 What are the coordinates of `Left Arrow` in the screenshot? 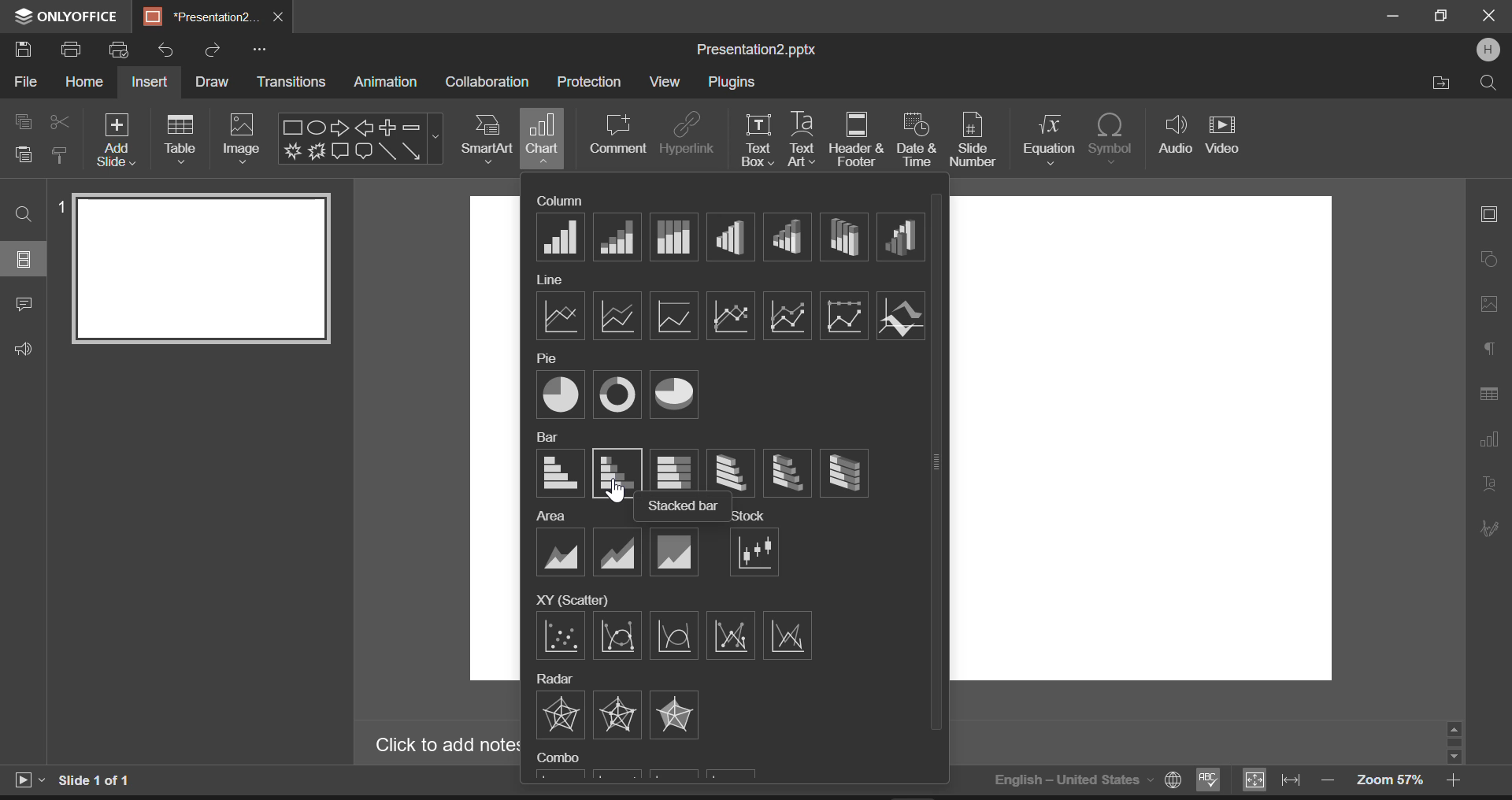 It's located at (364, 127).